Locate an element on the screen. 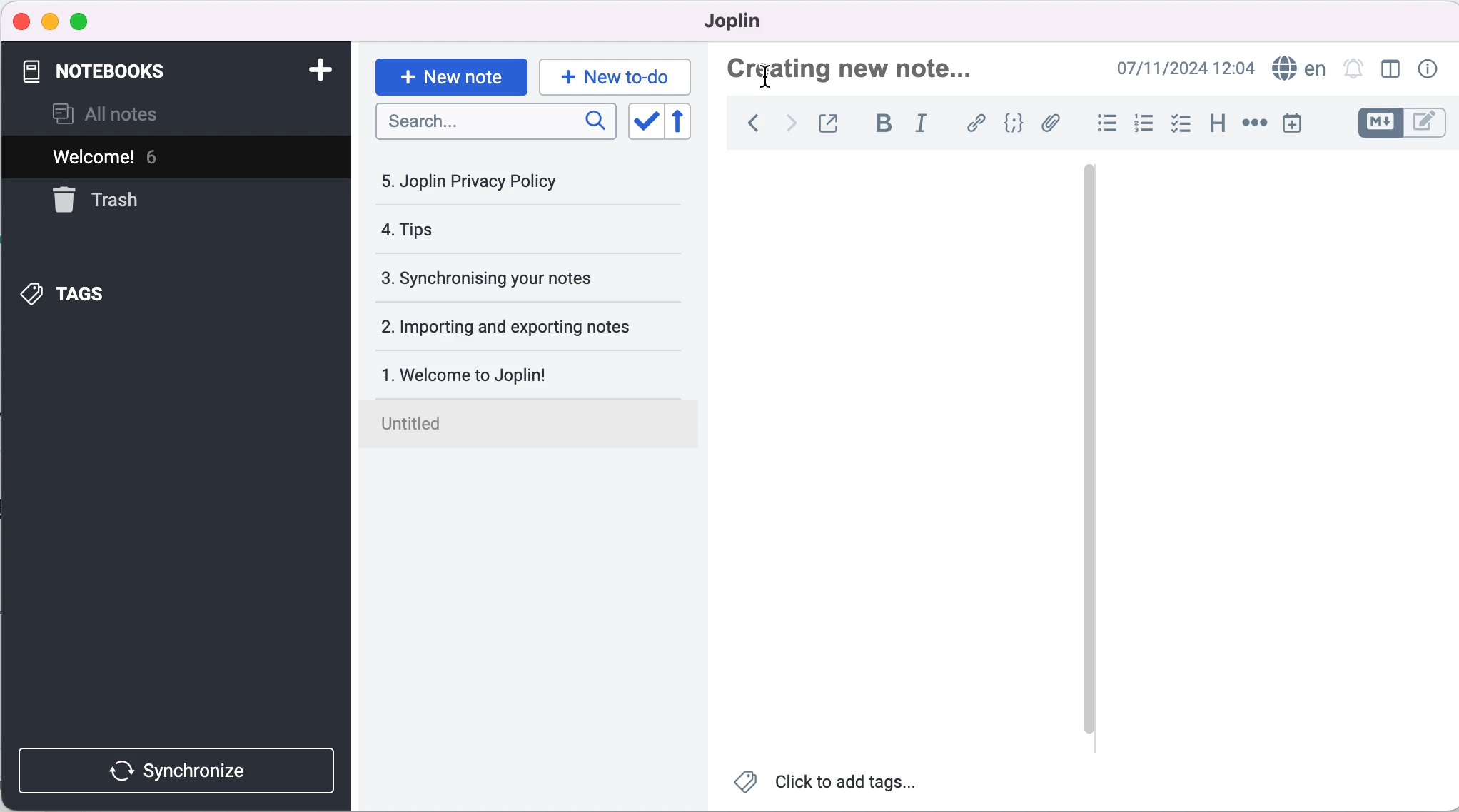 The image size is (1459, 812). tags is located at coordinates (142, 294).